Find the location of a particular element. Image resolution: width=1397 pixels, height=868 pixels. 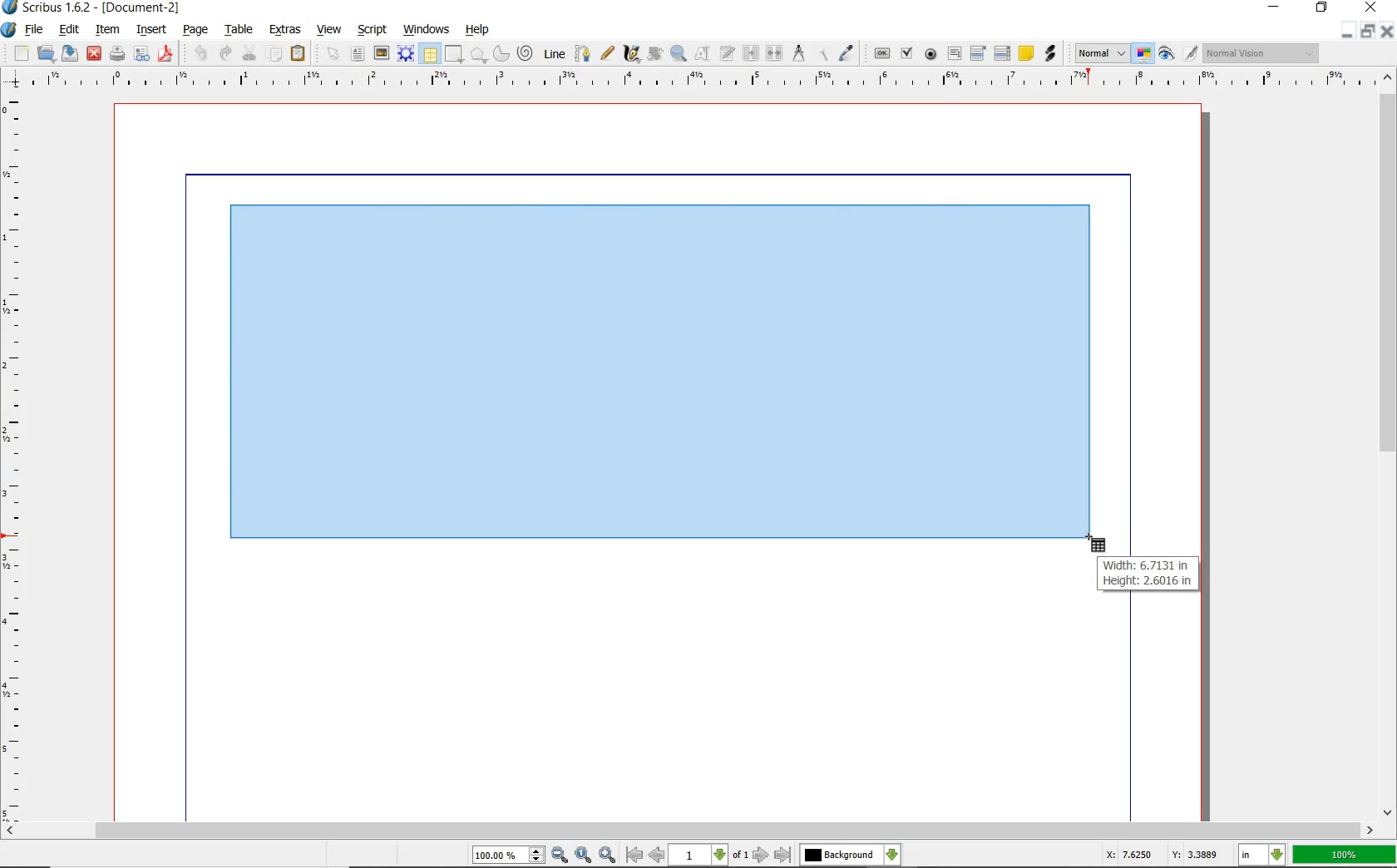

image frame is located at coordinates (380, 54).